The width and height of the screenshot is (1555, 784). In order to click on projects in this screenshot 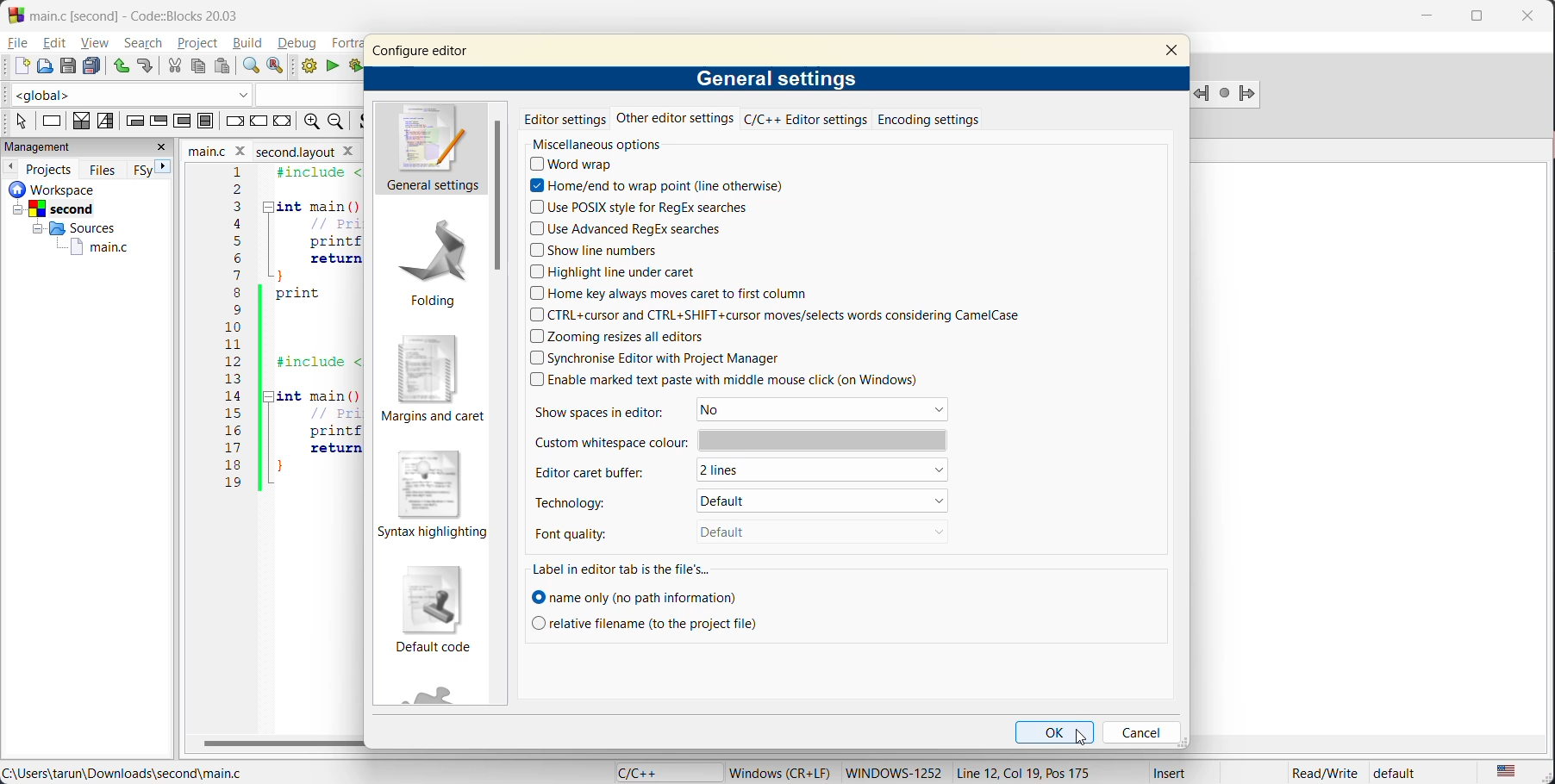, I will do `click(50, 169)`.